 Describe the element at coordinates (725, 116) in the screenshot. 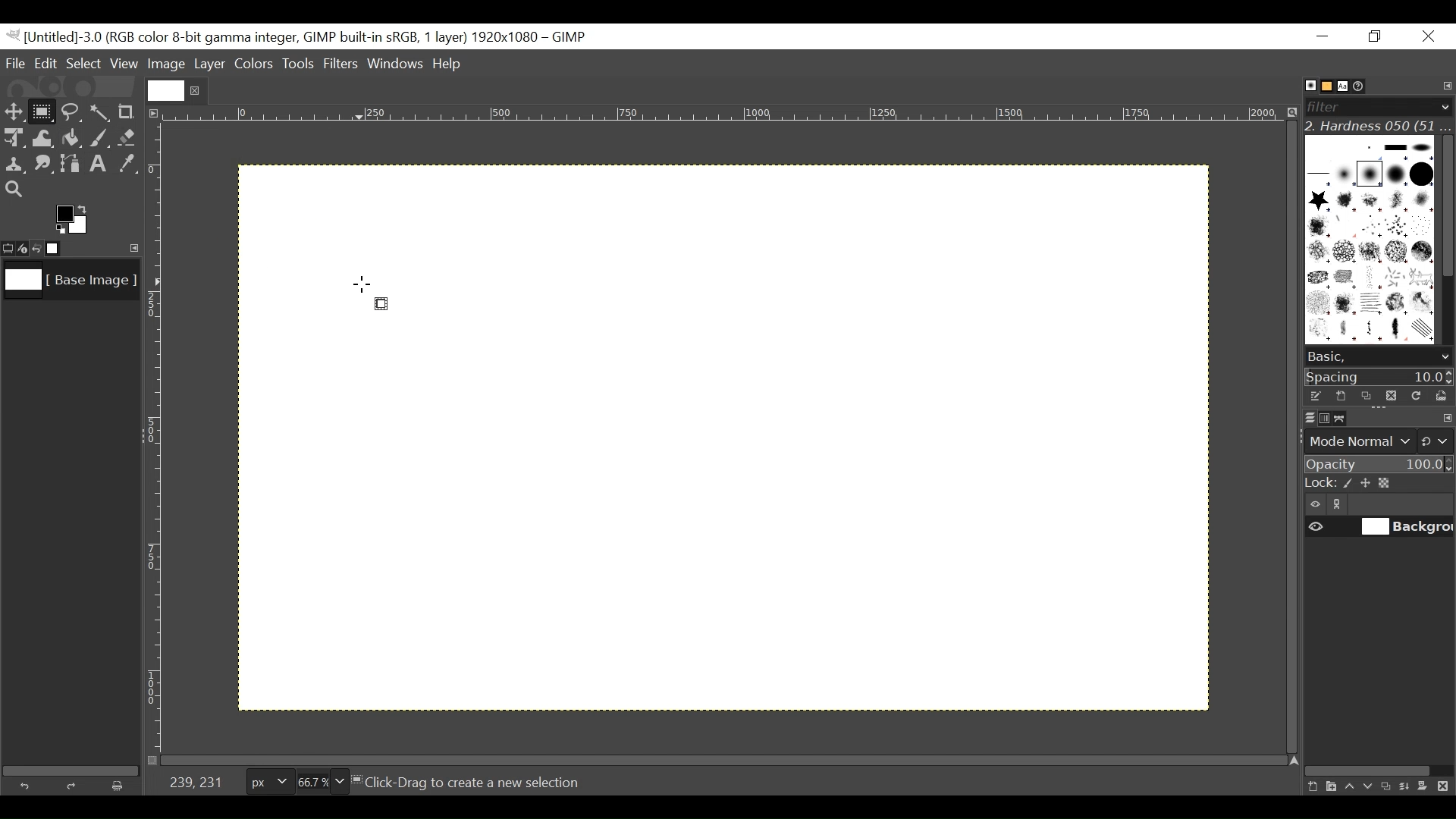

I see `Horizontal ruler` at that location.